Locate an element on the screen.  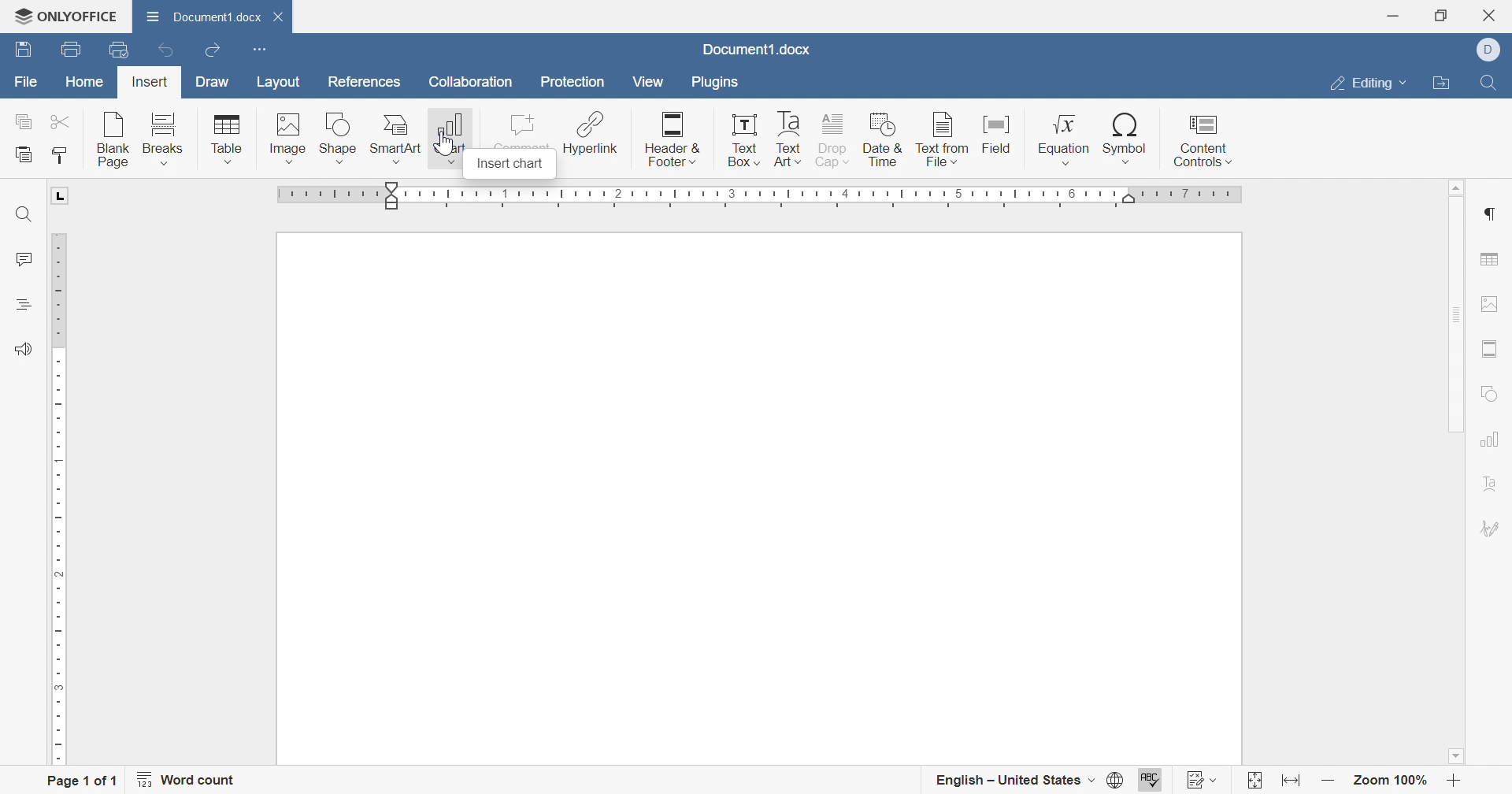
Delete is located at coordinates (282, 20).